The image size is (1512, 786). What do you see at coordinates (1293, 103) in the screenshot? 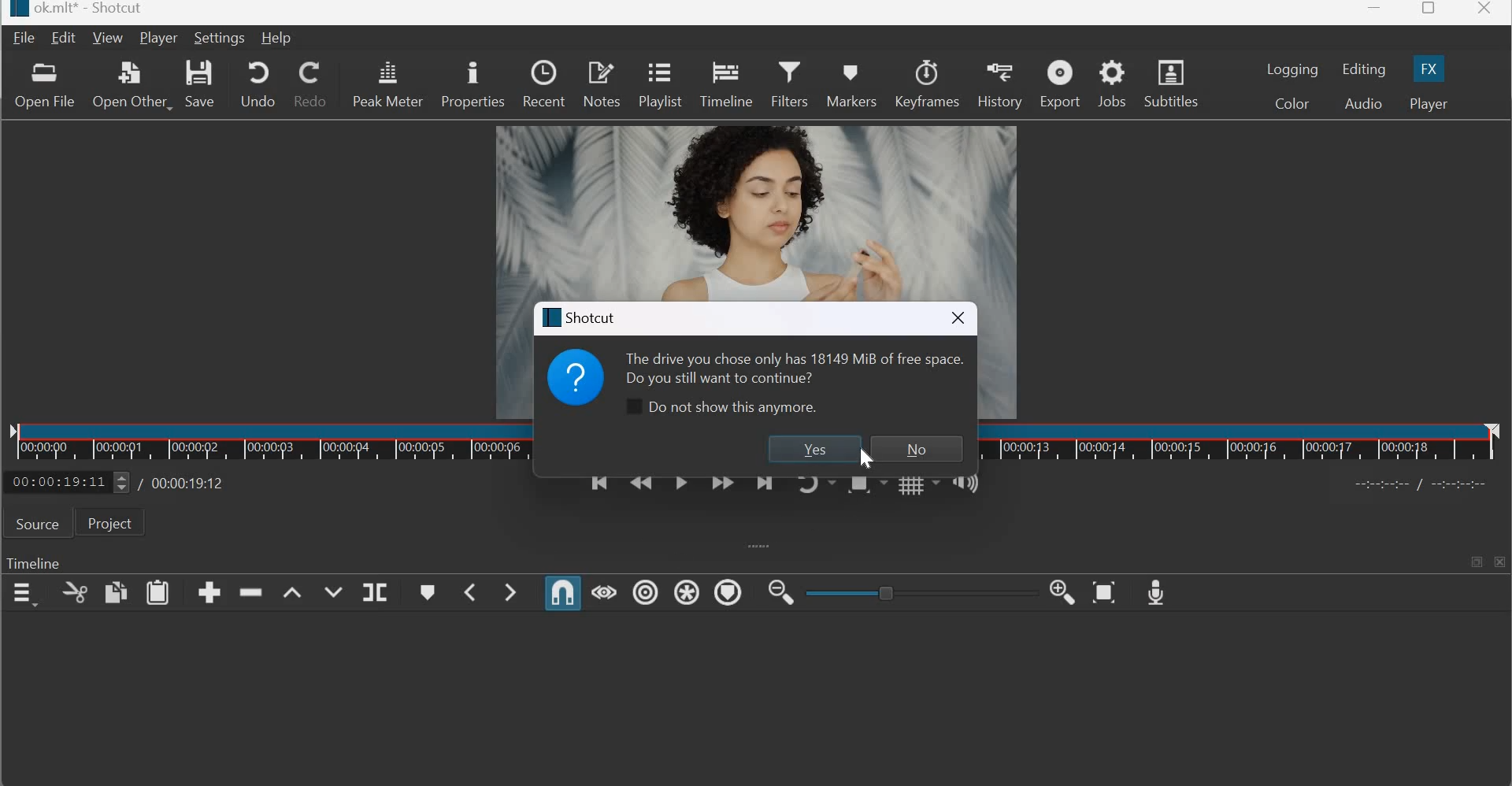
I see `Color` at bounding box center [1293, 103].